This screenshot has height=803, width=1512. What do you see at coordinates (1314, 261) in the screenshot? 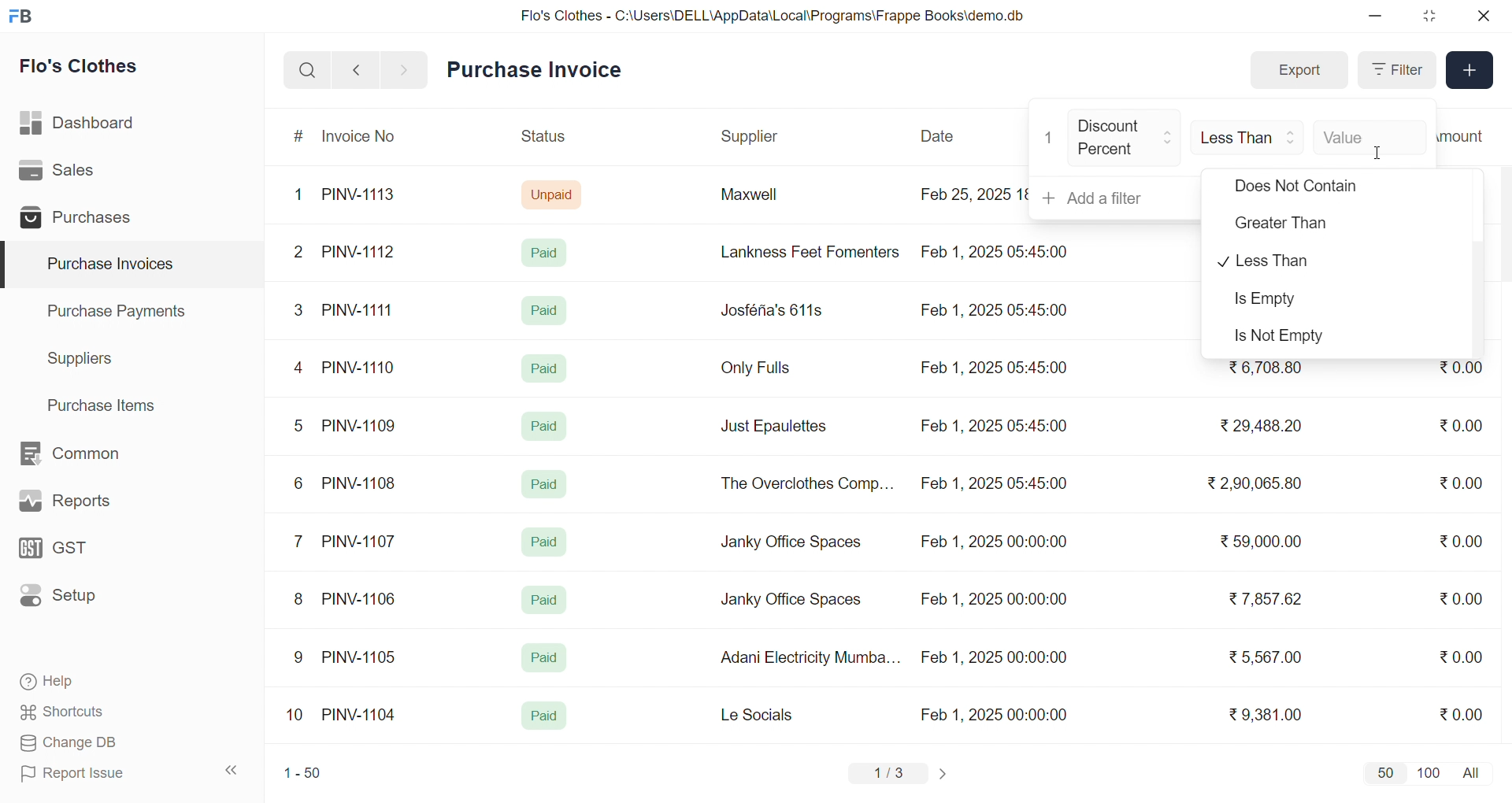
I see `Less Than` at bounding box center [1314, 261].